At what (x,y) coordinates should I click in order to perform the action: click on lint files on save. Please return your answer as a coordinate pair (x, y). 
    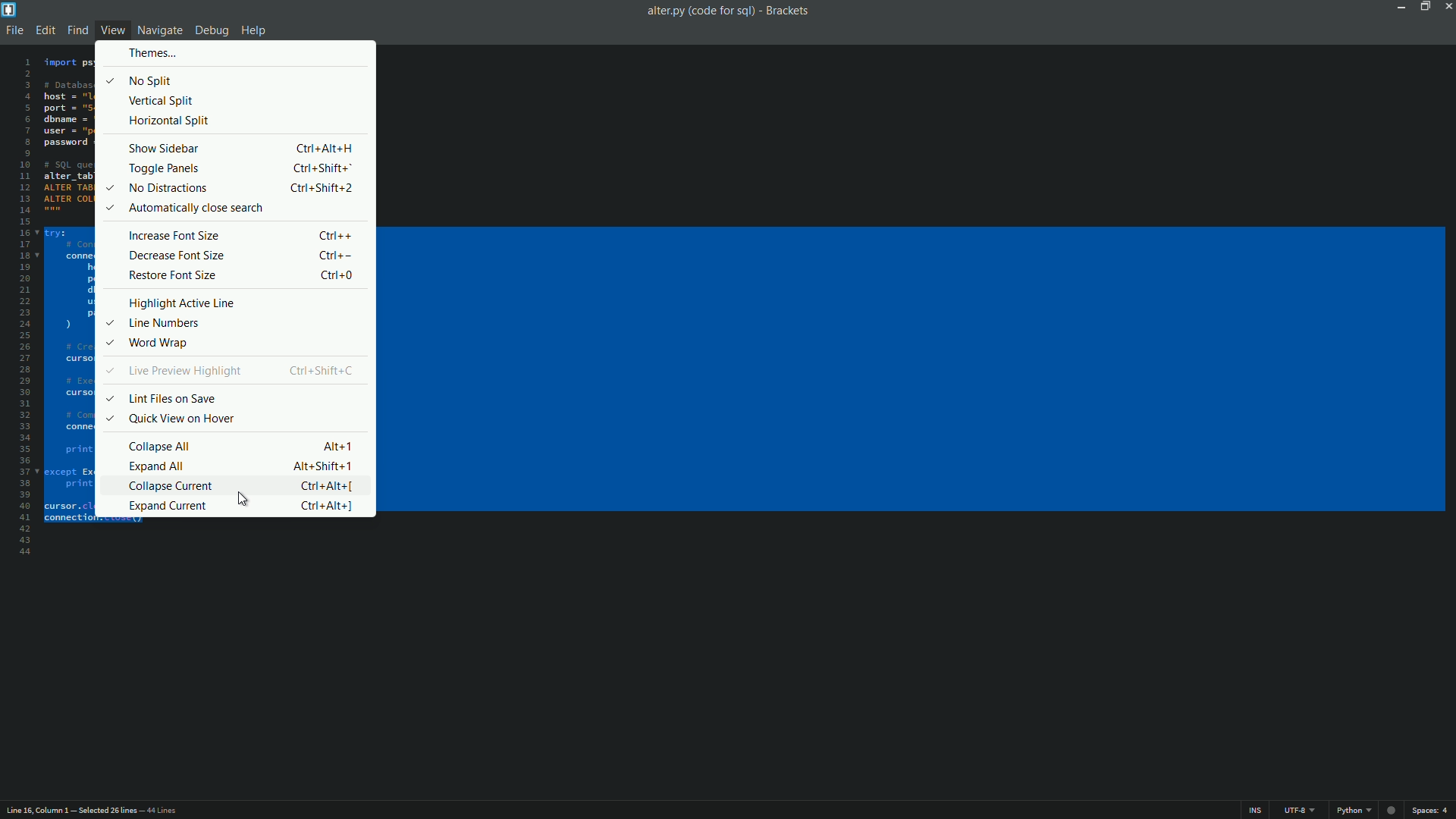
    Looking at the image, I should click on (171, 400).